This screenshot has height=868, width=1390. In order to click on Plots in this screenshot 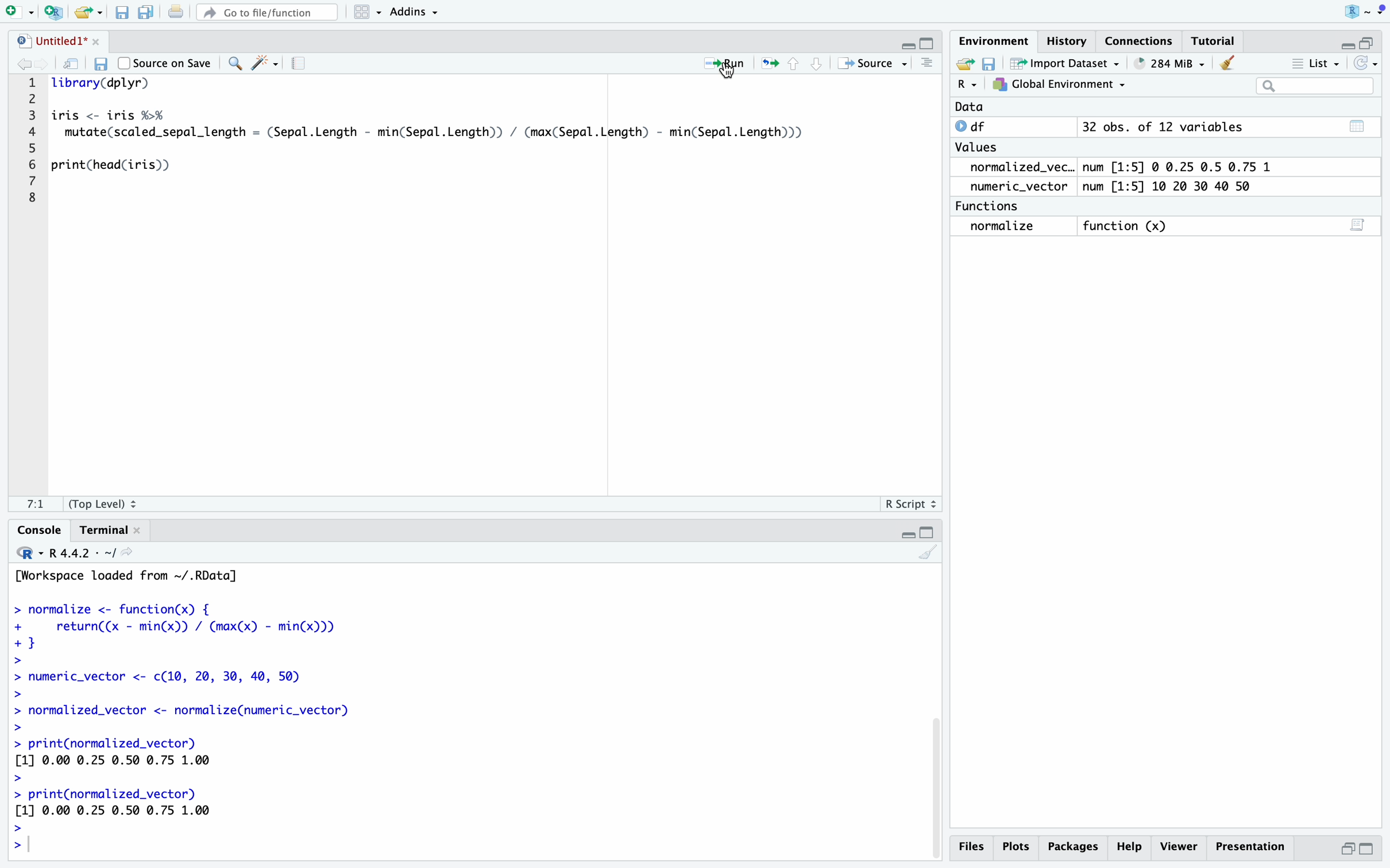, I will do `click(1017, 846)`.